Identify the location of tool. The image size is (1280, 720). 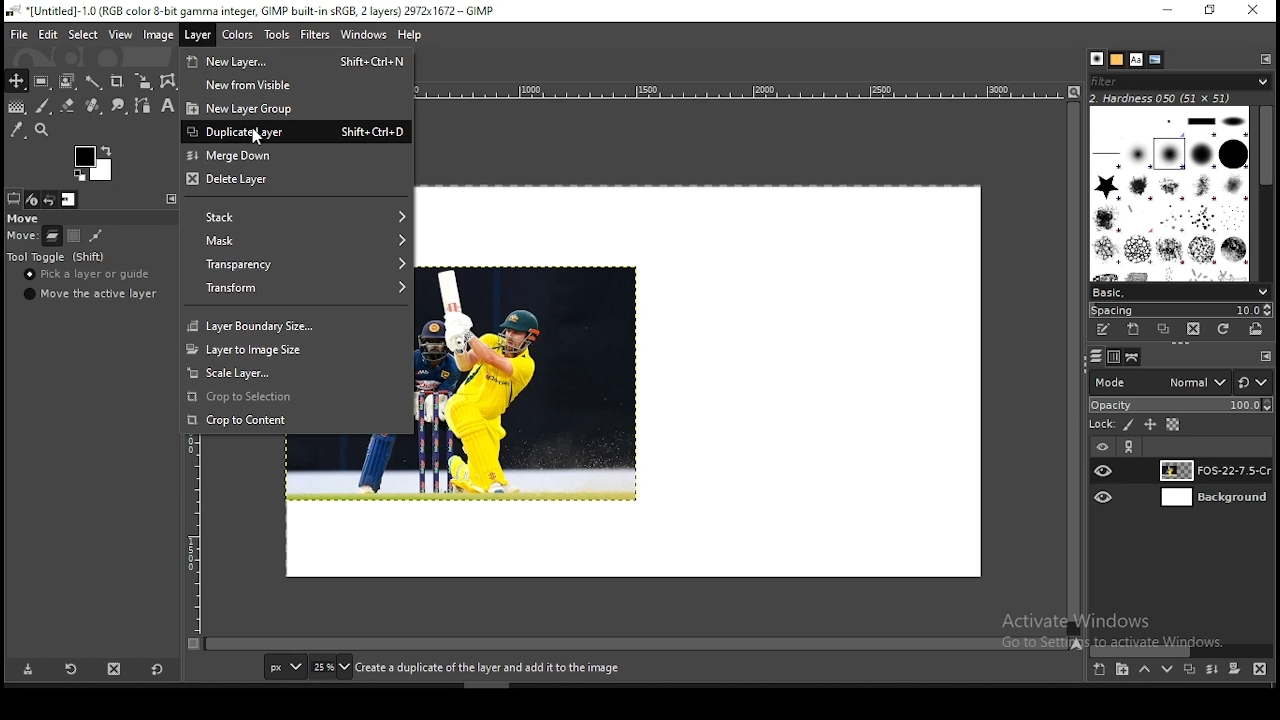
(1265, 58).